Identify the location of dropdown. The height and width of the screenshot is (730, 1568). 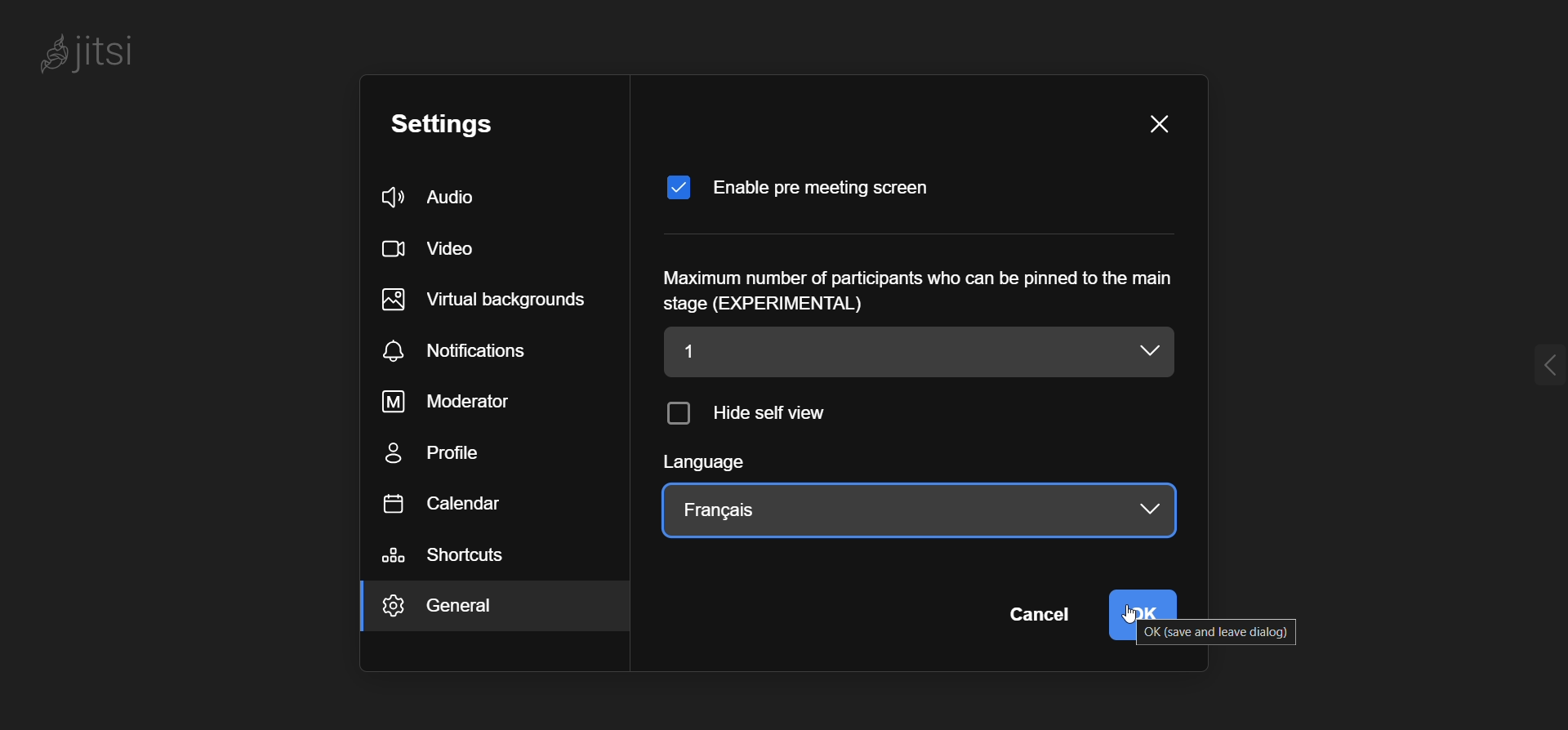
(1141, 510).